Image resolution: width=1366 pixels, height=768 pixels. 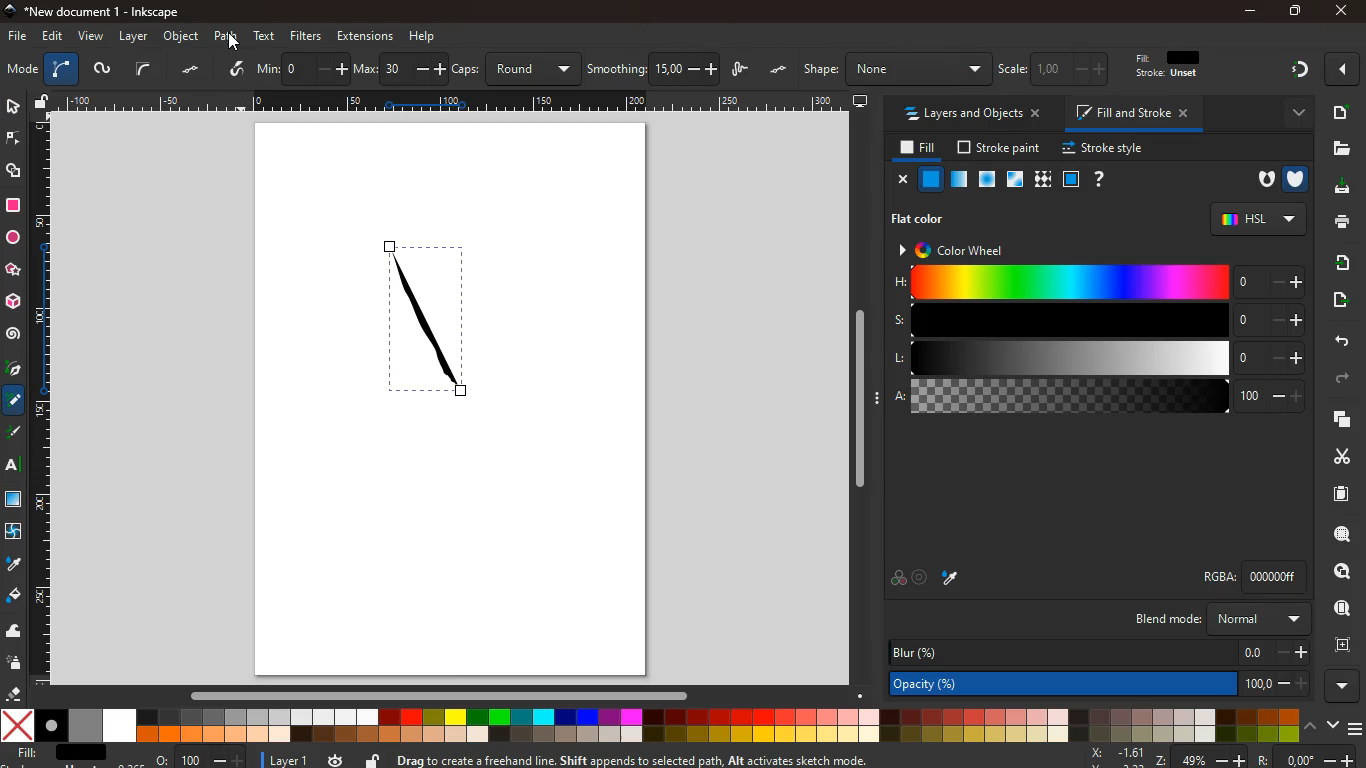 I want to click on stroke style, so click(x=1106, y=149).